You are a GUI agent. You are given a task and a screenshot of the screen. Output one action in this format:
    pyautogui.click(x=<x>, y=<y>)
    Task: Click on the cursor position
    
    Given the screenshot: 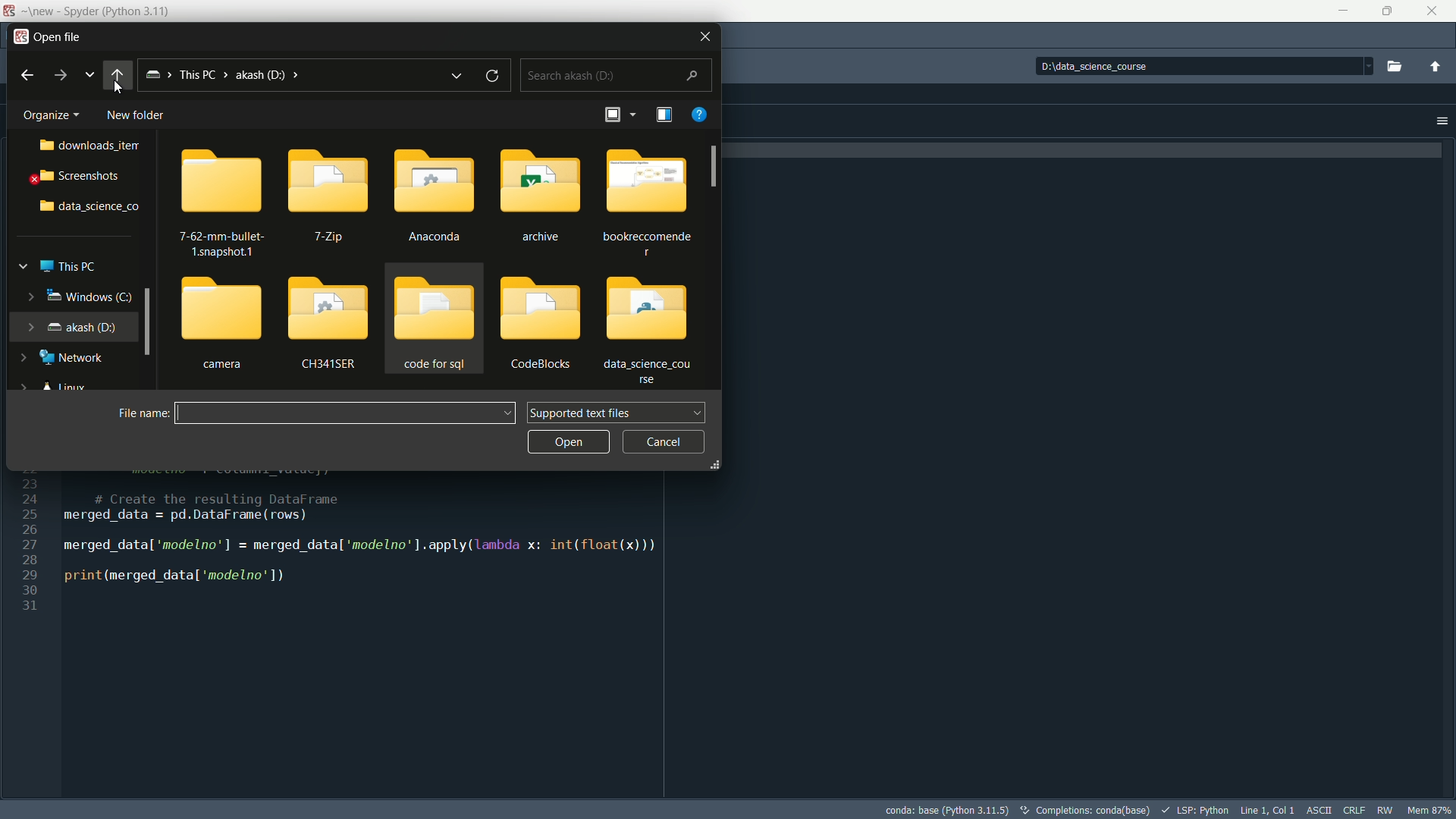 What is the action you would take?
    pyautogui.click(x=1267, y=810)
    